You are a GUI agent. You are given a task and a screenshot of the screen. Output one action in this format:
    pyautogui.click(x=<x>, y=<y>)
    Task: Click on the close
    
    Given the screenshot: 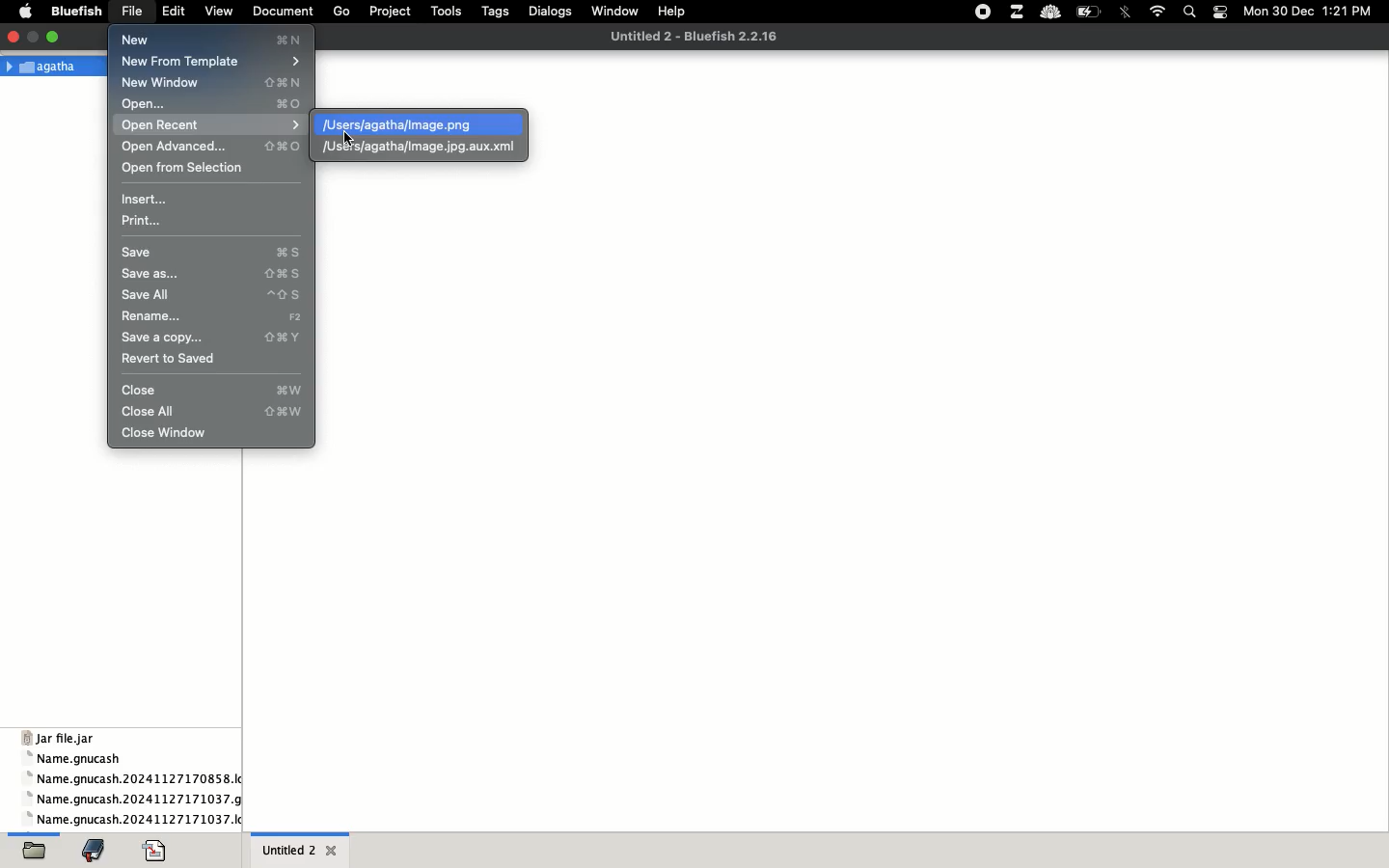 What is the action you would take?
    pyautogui.click(x=12, y=36)
    